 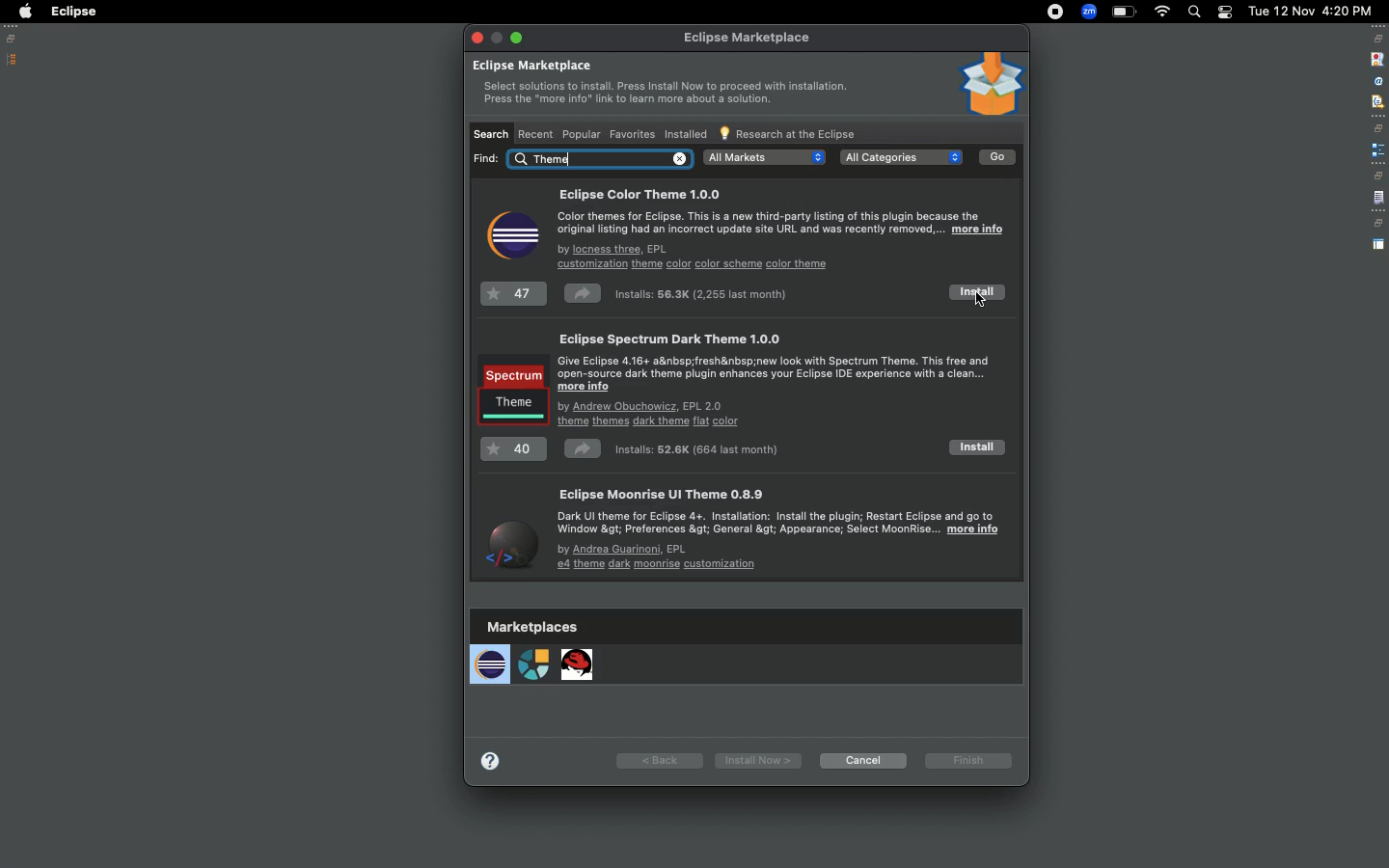 I want to click on all markets, so click(x=765, y=157).